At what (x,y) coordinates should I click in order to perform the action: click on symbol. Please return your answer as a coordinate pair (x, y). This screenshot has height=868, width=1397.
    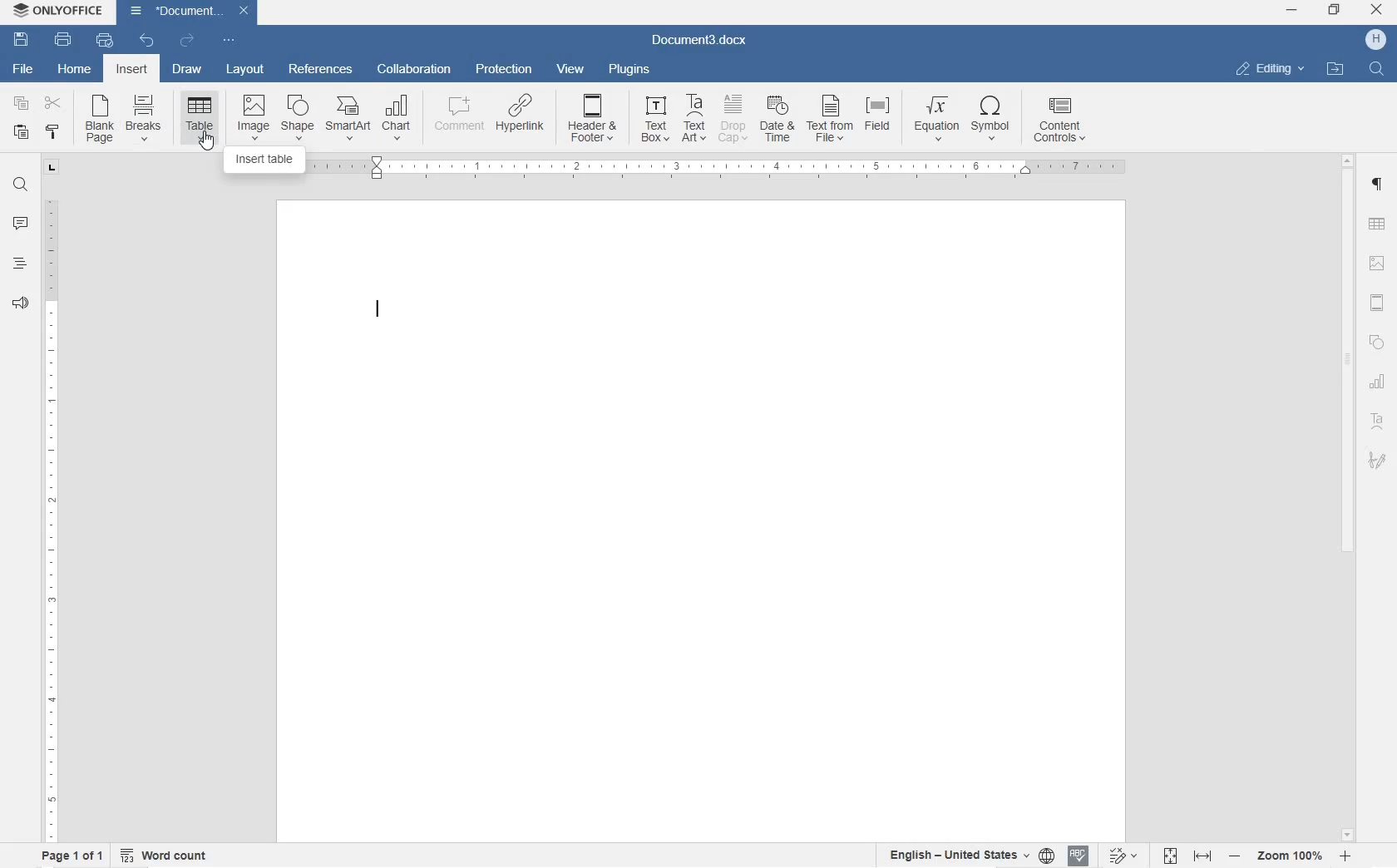
    Looking at the image, I should click on (992, 120).